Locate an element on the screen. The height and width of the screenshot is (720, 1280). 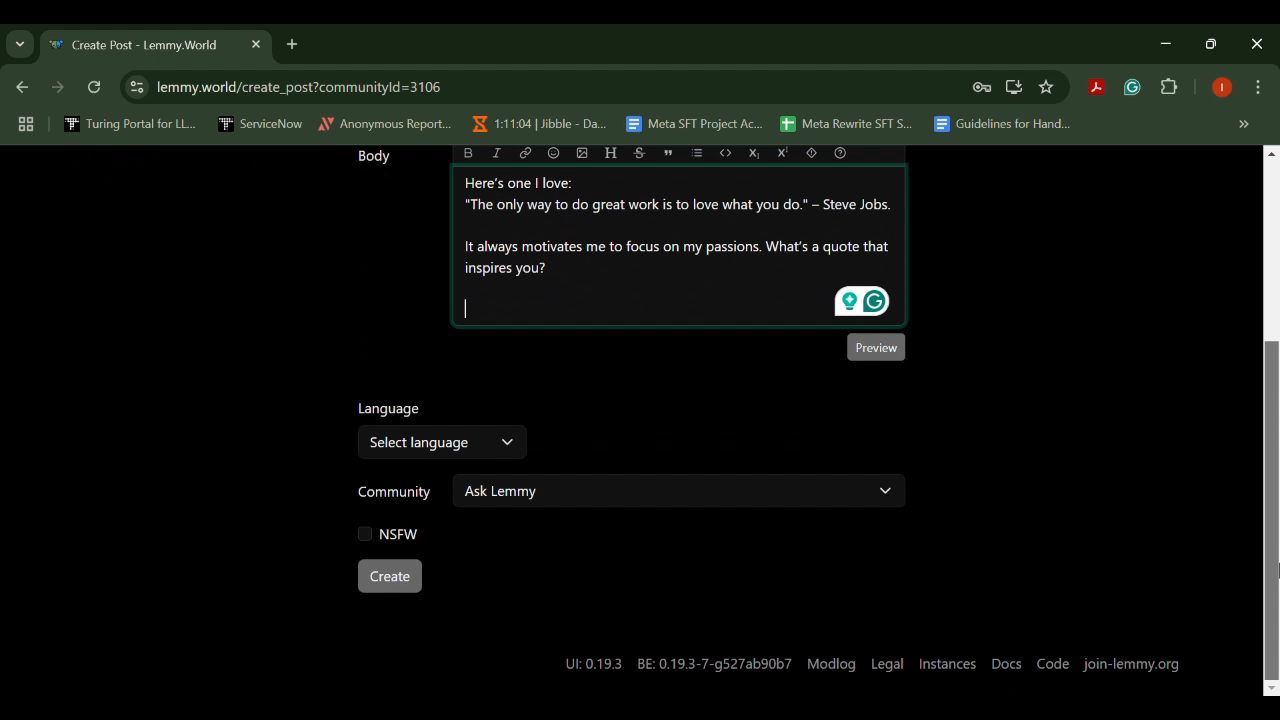
Bookmark Site Button is located at coordinates (1046, 88).